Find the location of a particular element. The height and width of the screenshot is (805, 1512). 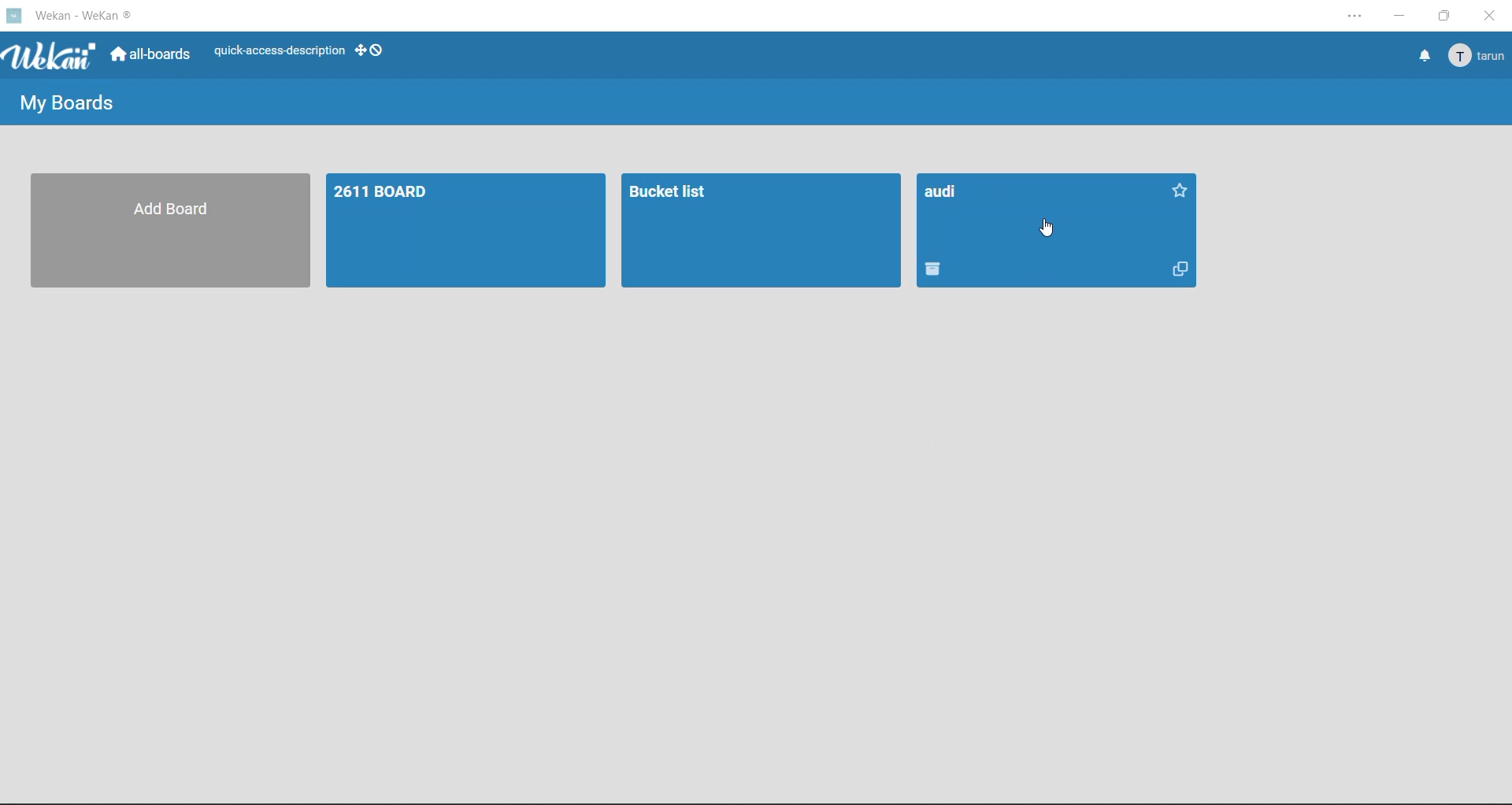

 notifications is located at coordinates (1421, 57).